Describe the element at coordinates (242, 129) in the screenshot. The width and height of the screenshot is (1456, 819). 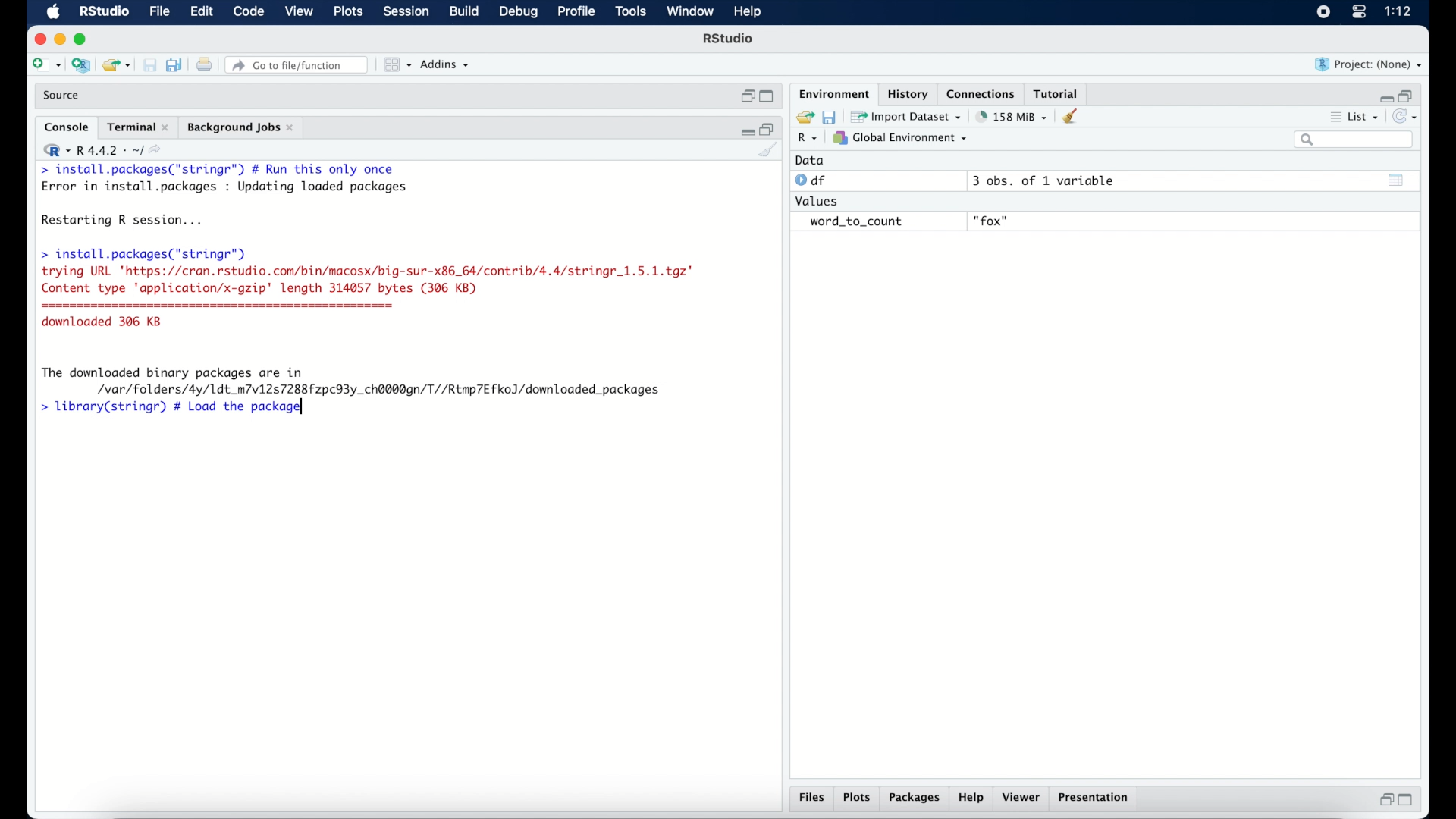
I see `background jobs` at that location.